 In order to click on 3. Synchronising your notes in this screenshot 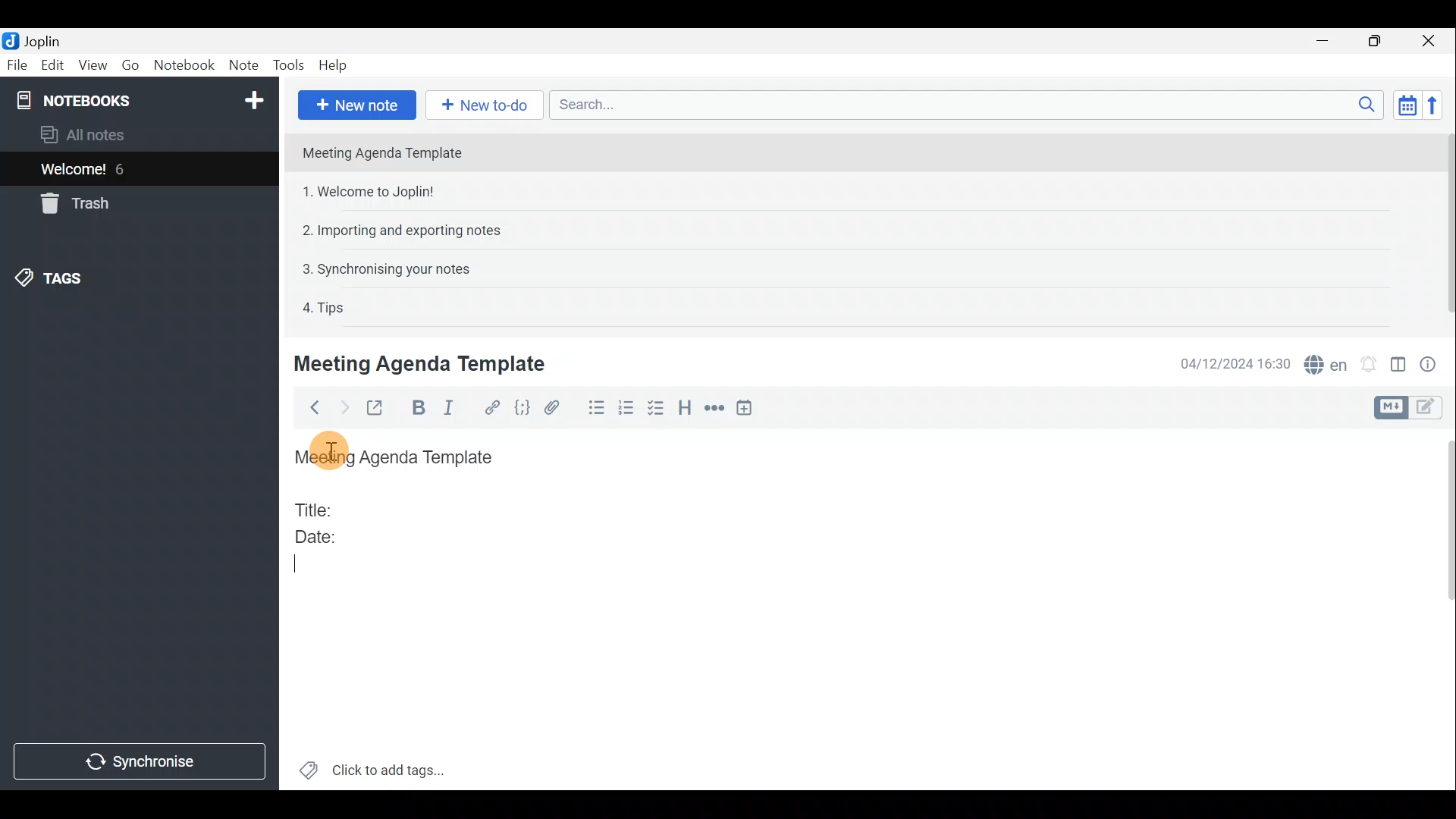, I will do `click(386, 268)`.